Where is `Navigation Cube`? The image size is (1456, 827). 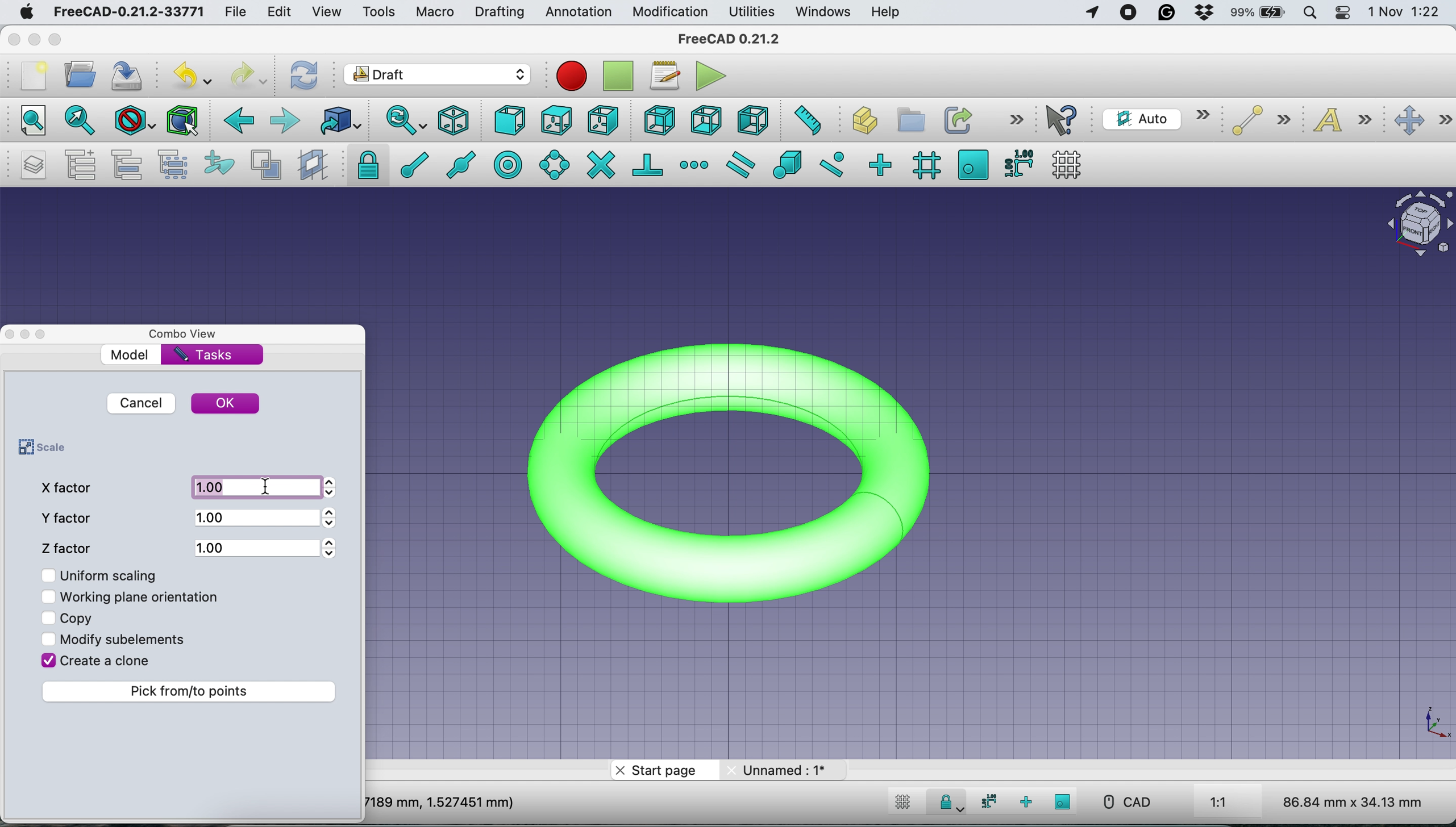
Navigation Cube is located at coordinates (1414, 224).